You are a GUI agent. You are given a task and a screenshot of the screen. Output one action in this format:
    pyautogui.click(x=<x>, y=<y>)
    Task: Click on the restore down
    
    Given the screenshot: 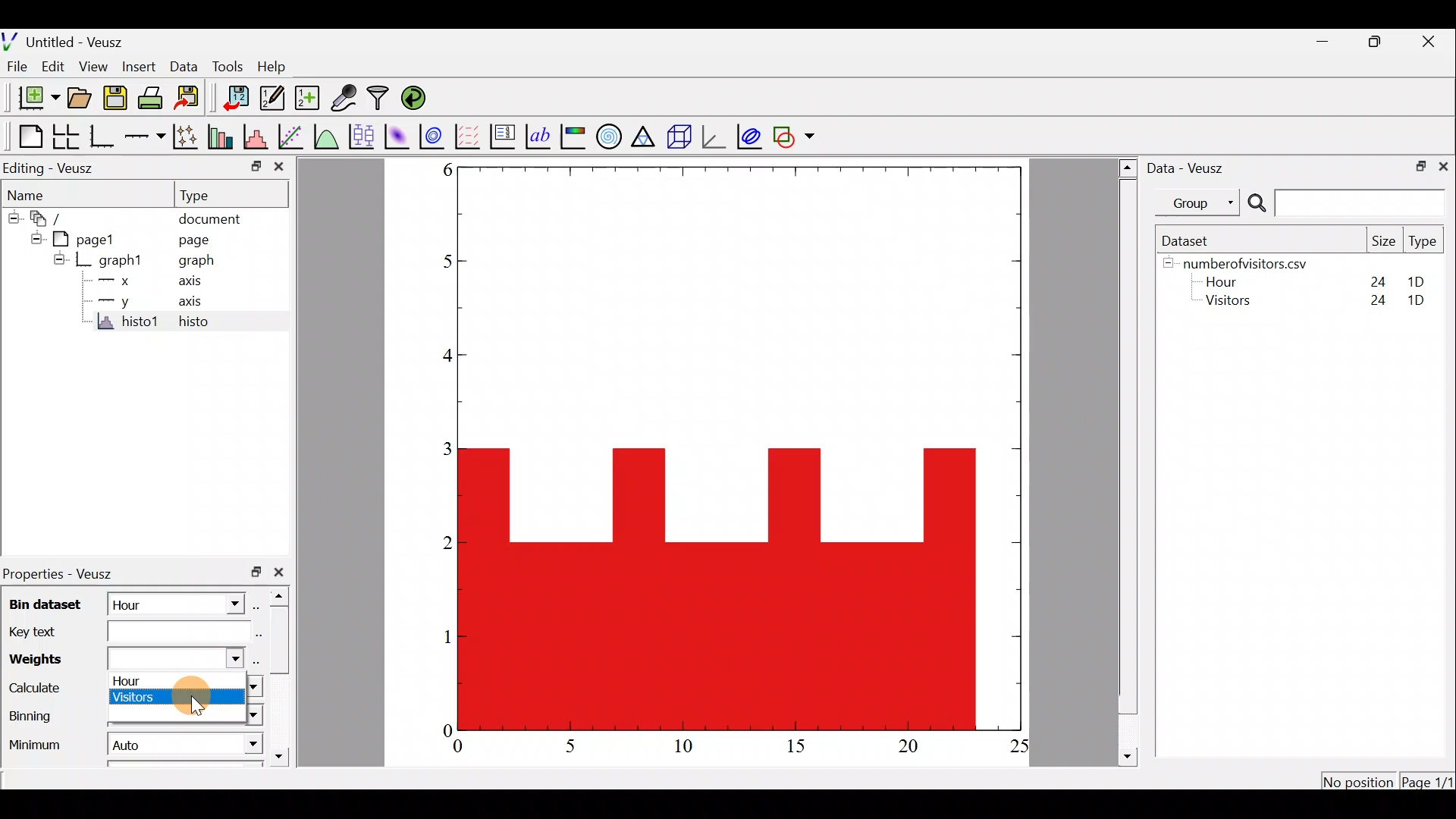 What is the action you would take?
    pyautogui.click(x=1379, y=44)
    